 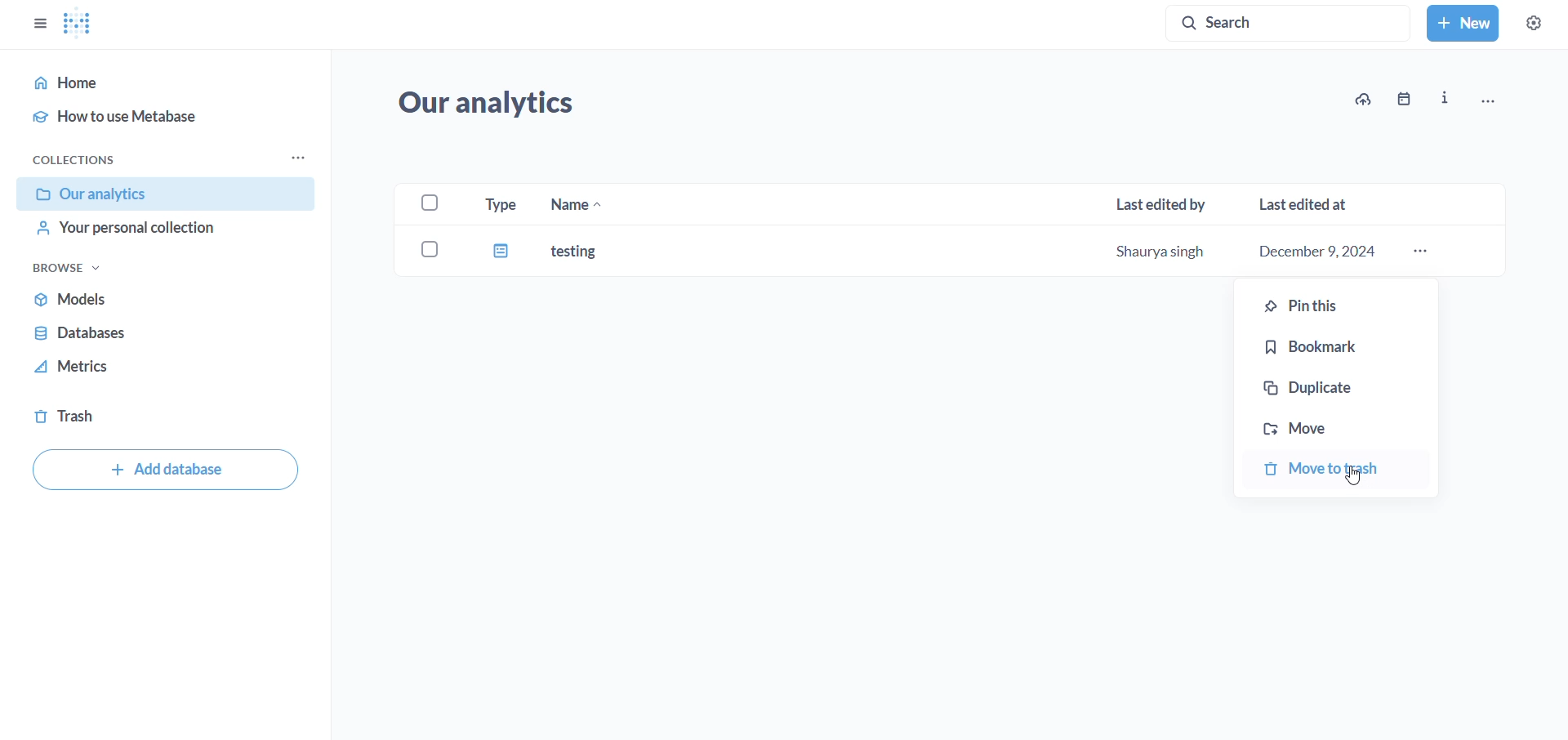 I want to click on our analytics, so click(x=168, y=195).